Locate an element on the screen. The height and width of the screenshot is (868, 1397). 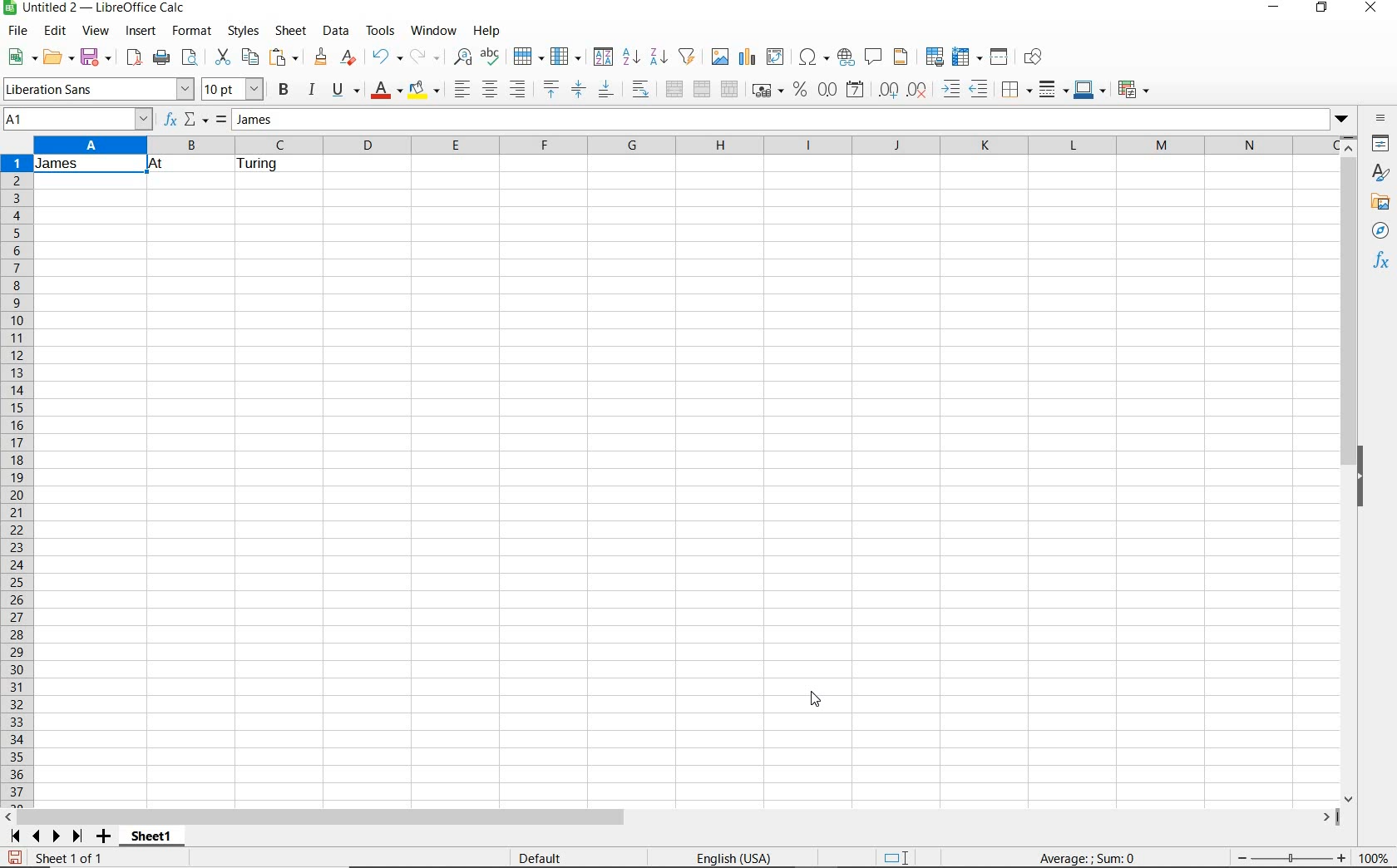
conditional is located at coordinates (1135, 88).